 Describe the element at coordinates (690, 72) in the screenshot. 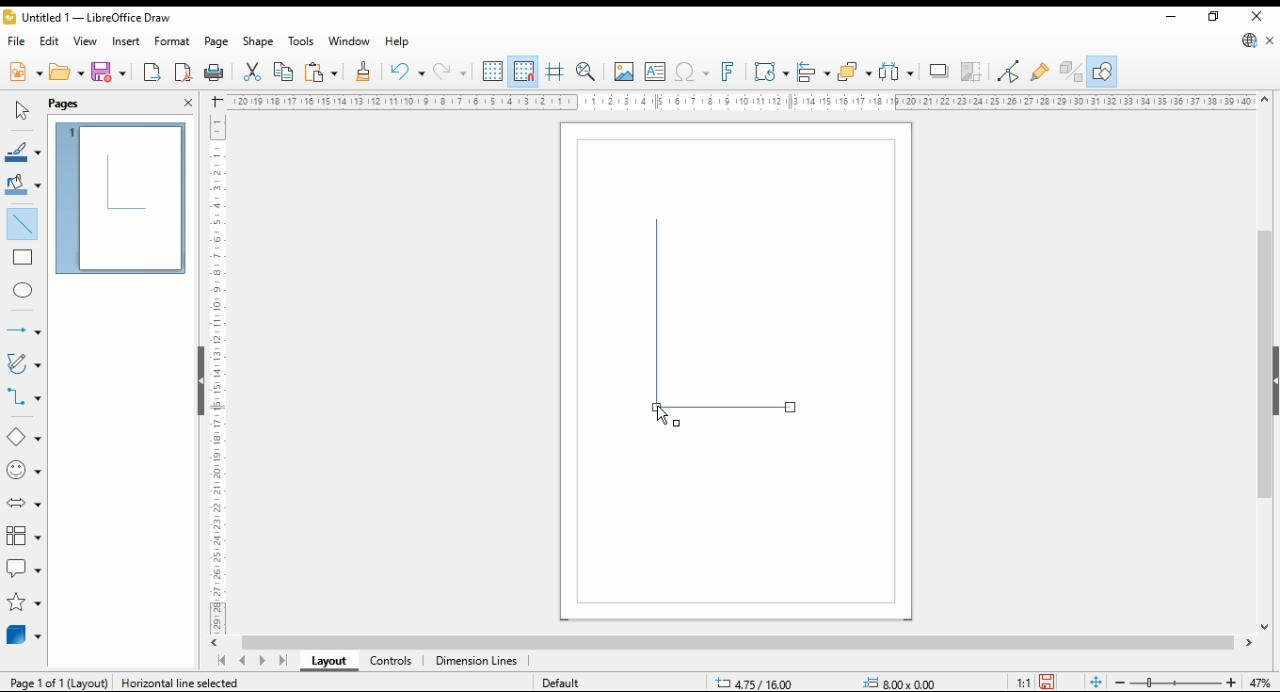

I see `insert special character` at that location.